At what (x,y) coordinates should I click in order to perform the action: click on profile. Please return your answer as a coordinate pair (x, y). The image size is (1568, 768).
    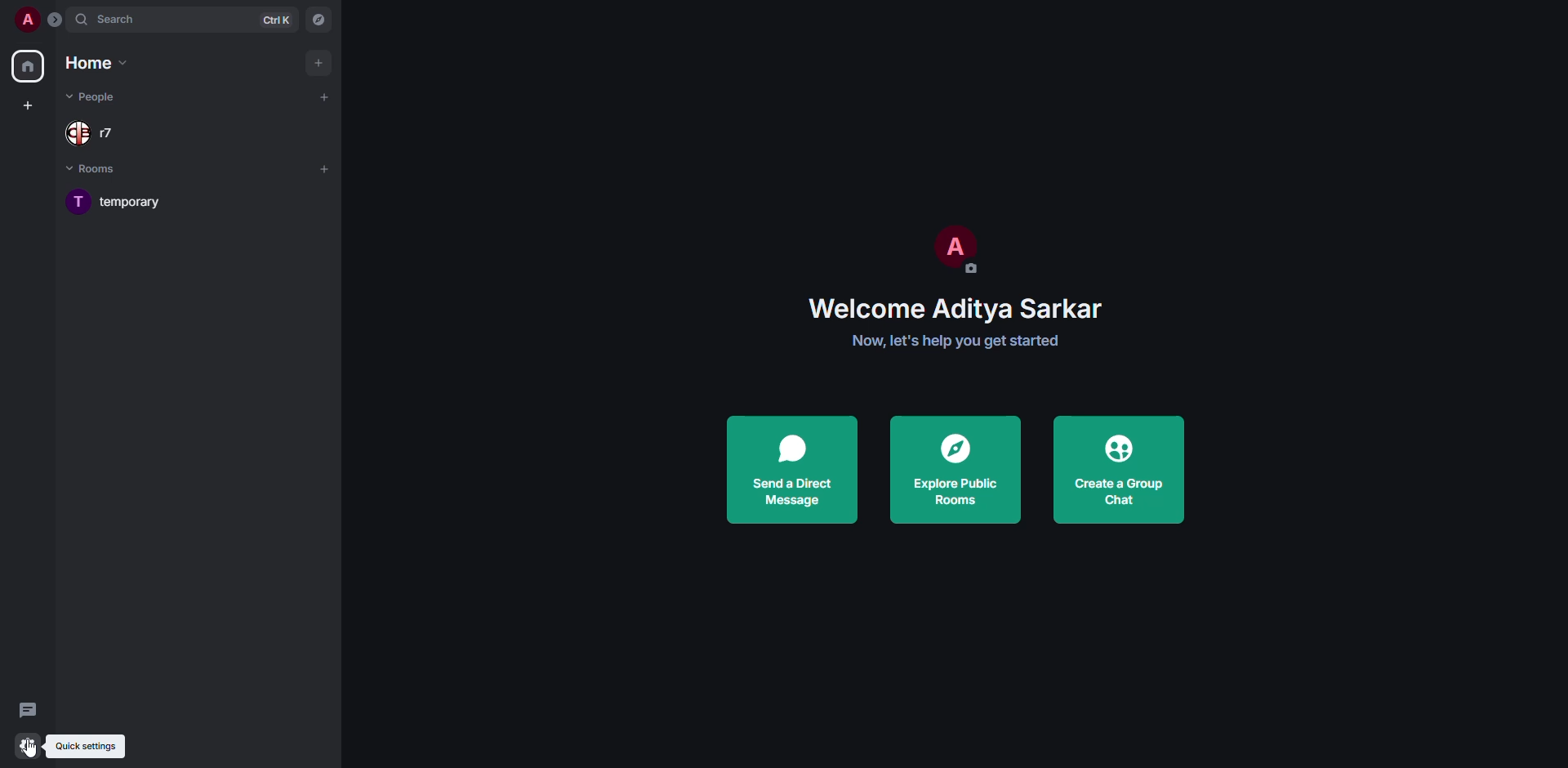
    Looking at the image, I should click on (25, 20).